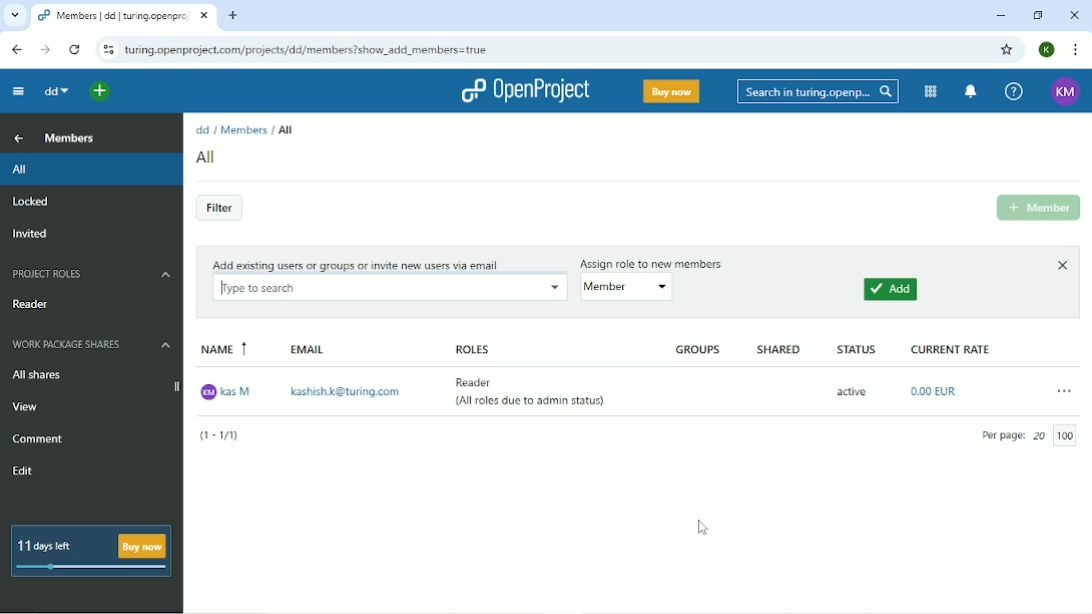 This screenshot has height=614, width=1092. Describe the element at coordinates (1063, 390) in the screenshot. I see `More actions` at that location.